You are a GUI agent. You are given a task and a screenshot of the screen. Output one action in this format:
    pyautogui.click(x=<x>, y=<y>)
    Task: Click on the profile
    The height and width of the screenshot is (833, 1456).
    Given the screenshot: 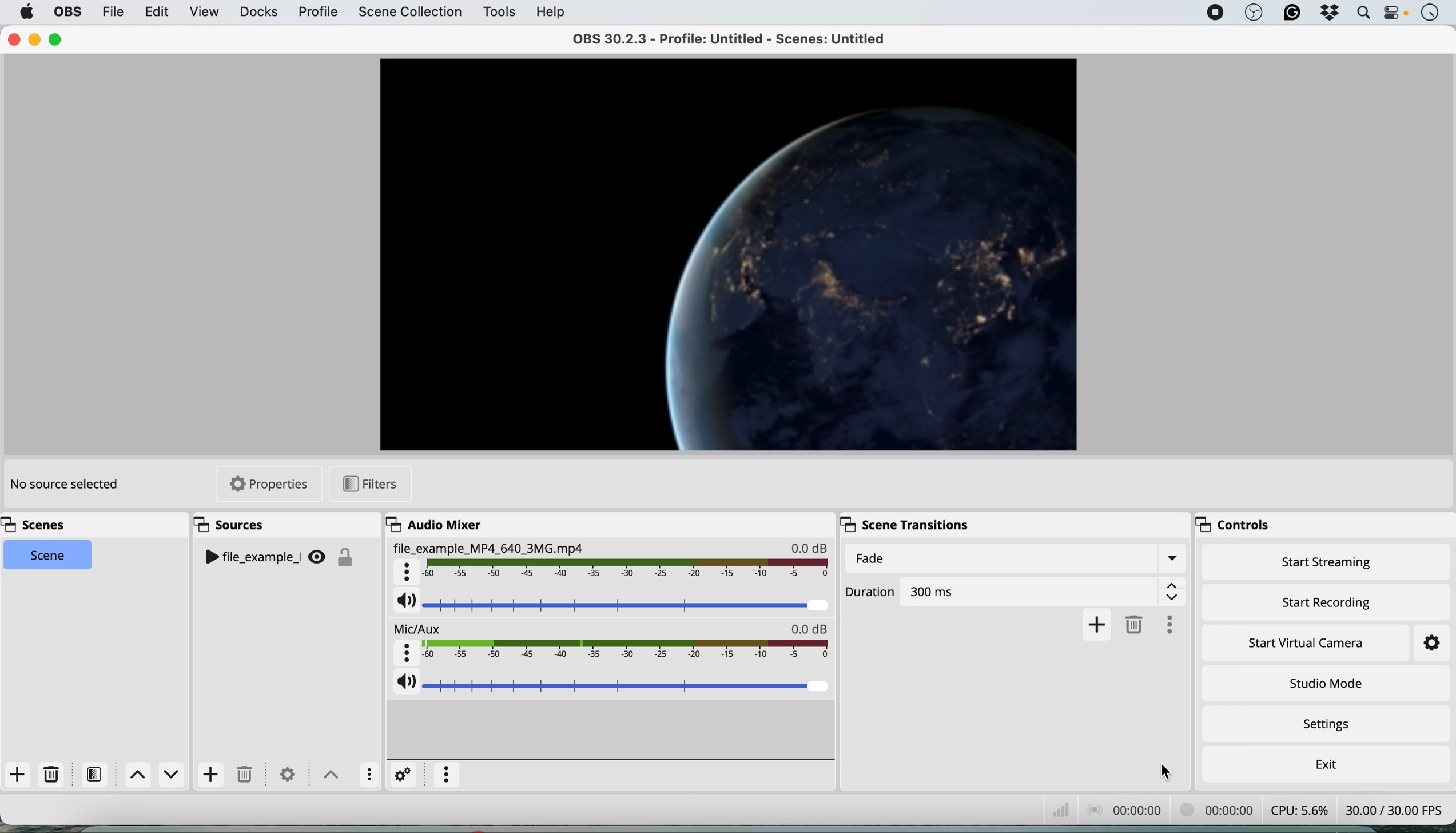 What is the action you would take?
    pyautogui.click(x=317, y=13)
    